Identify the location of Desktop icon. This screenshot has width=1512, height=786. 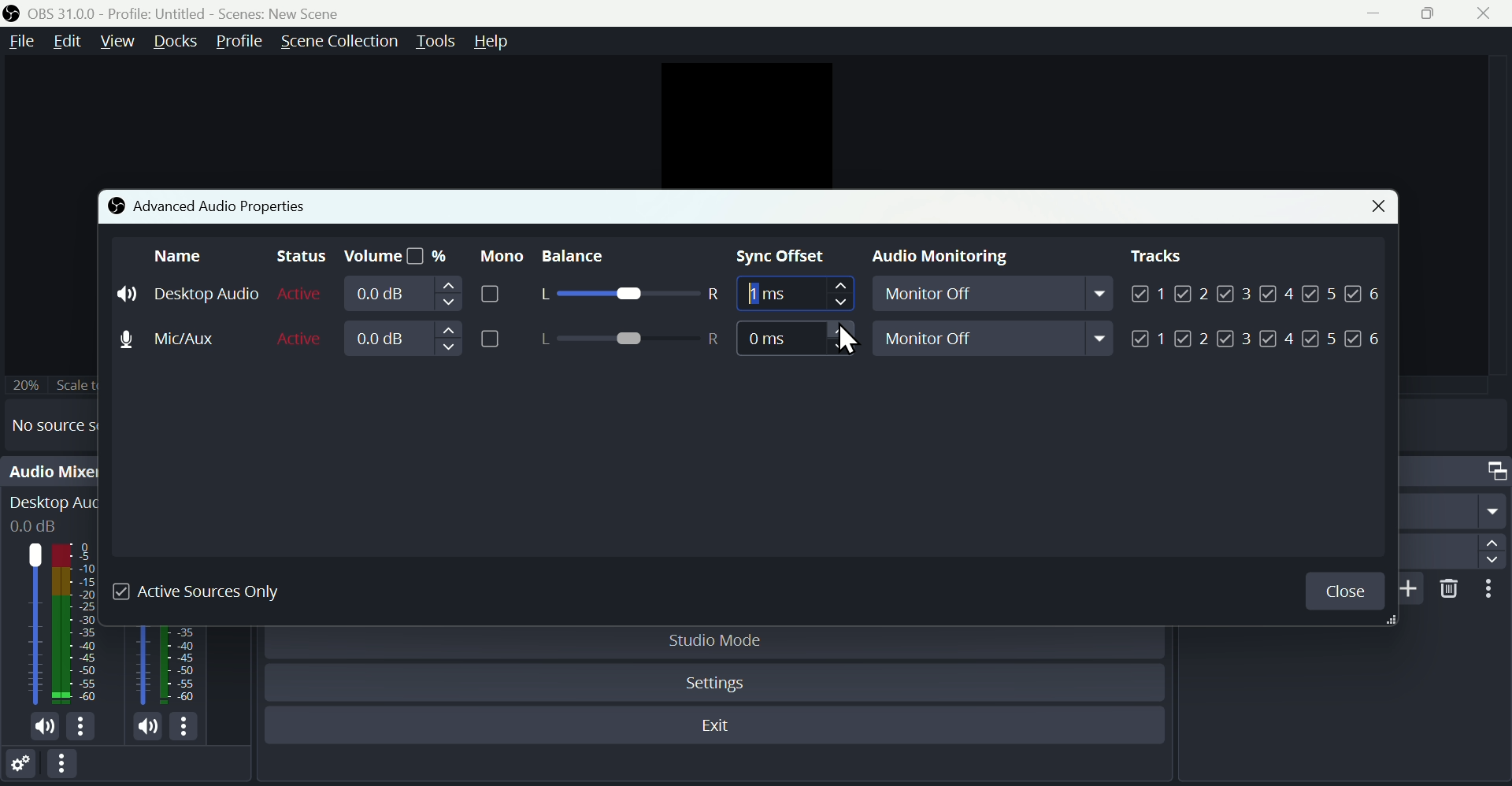
(35, 625).